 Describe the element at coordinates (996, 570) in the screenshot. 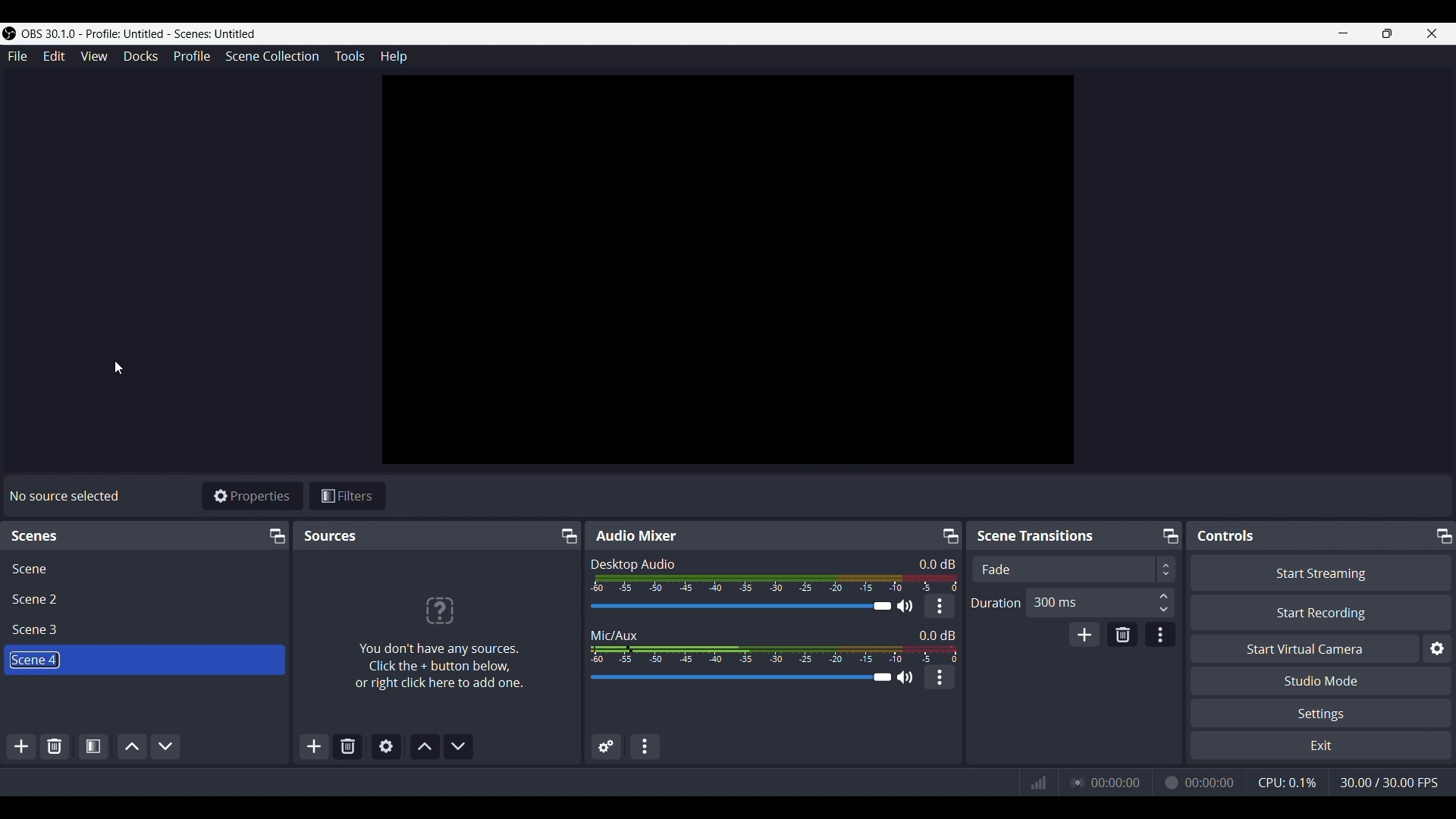

I see `Fade` at that location.